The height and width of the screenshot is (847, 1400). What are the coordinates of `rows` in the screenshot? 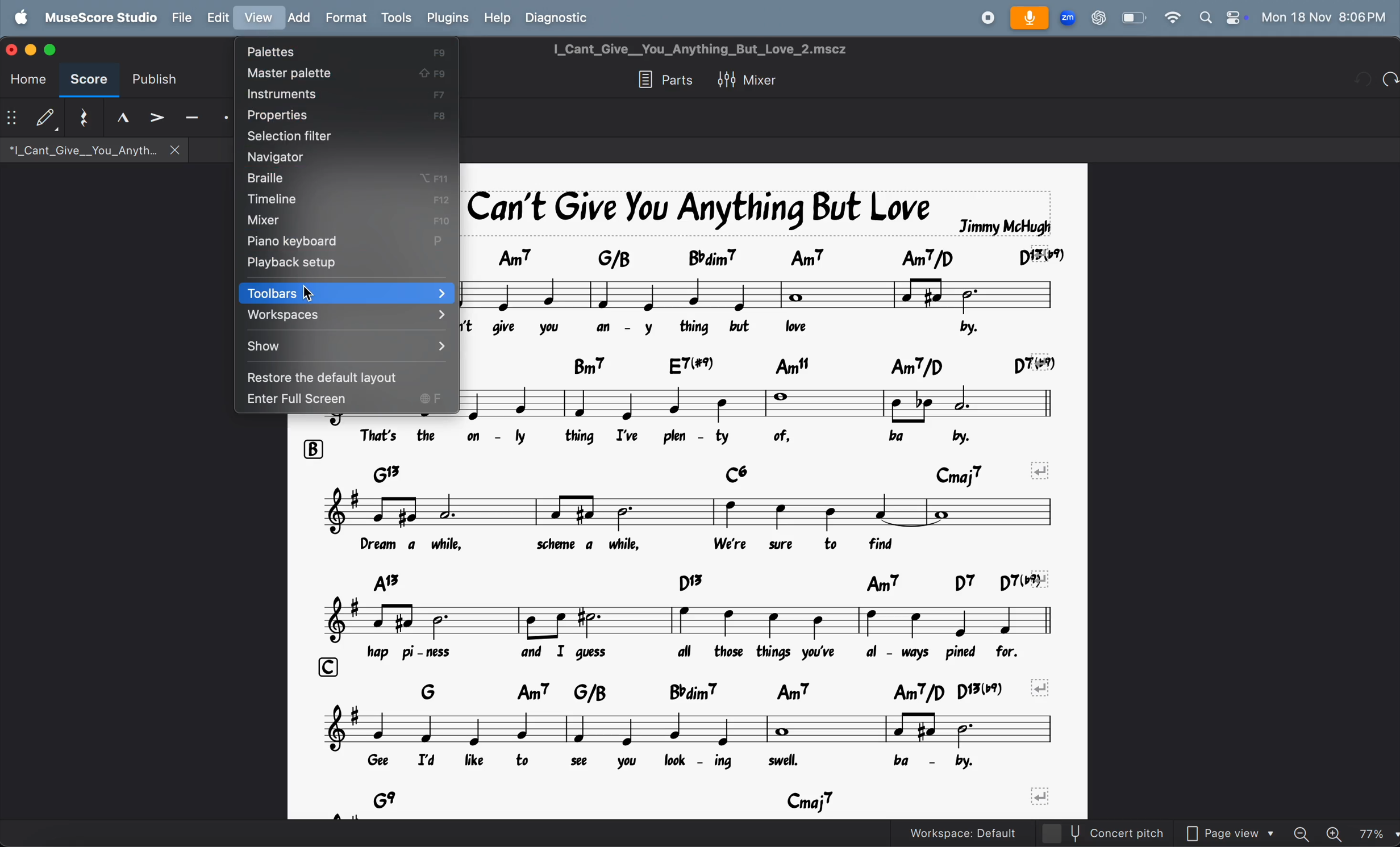 It's located at (325, 666).